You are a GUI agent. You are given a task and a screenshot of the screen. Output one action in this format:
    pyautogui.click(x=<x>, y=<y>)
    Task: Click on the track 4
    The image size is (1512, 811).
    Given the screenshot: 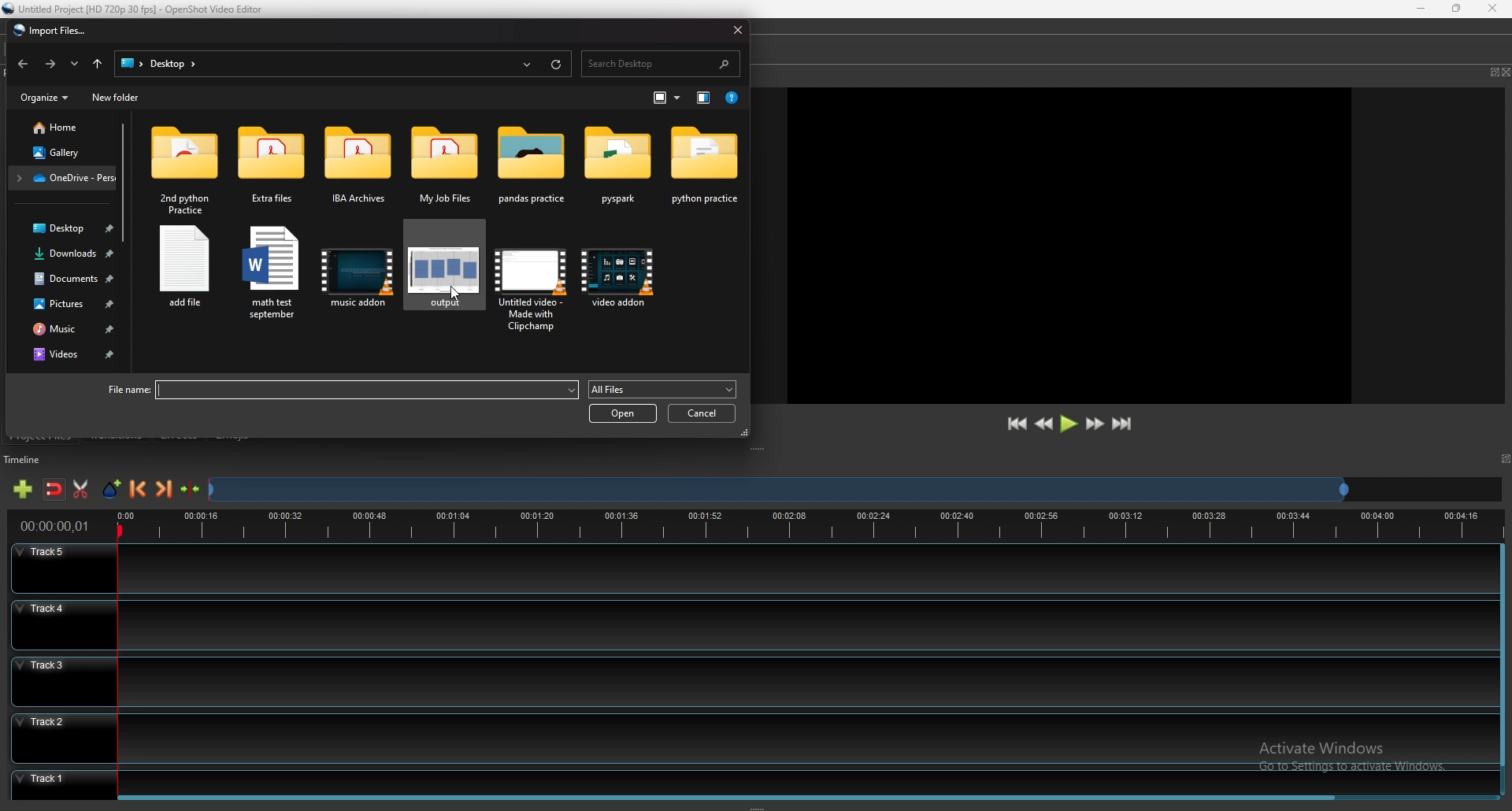 What is the action you would take?
    pyautogui.click(x=749, y=624)
    